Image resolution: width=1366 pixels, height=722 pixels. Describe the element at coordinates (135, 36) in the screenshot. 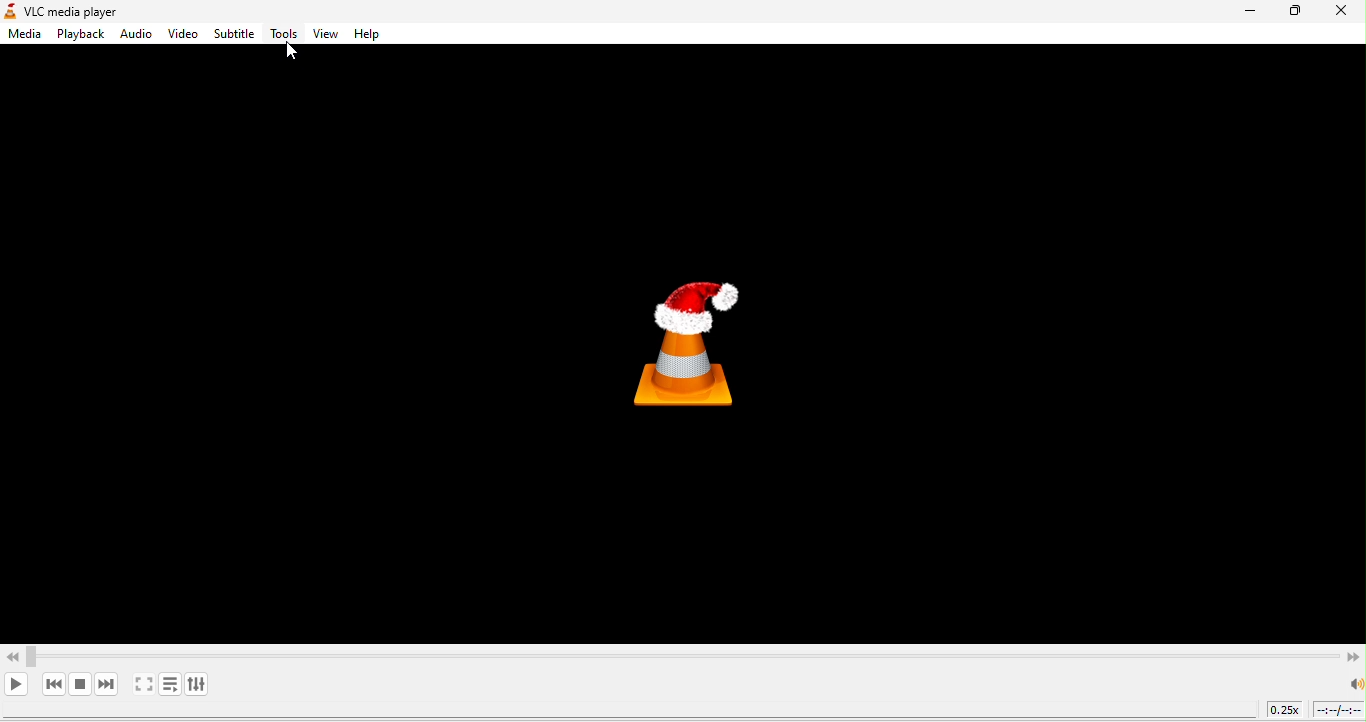

I see `audio` at that location.